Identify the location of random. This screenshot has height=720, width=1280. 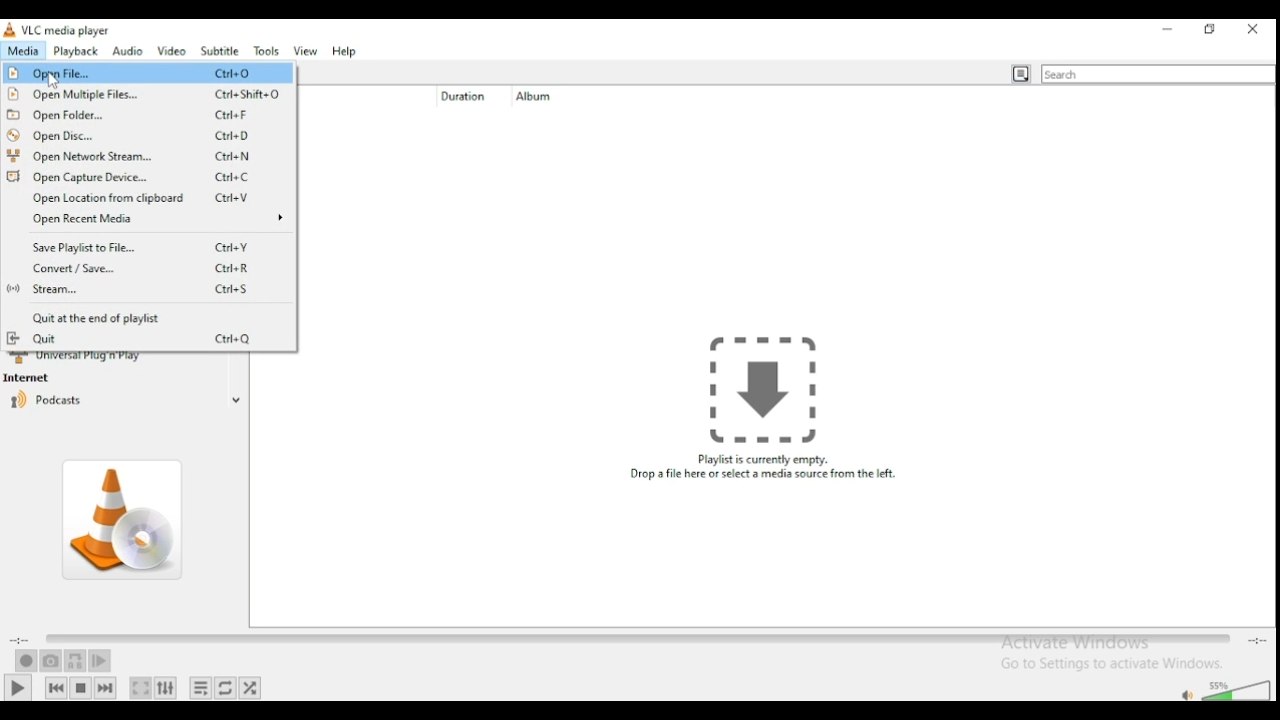
(250, 687).